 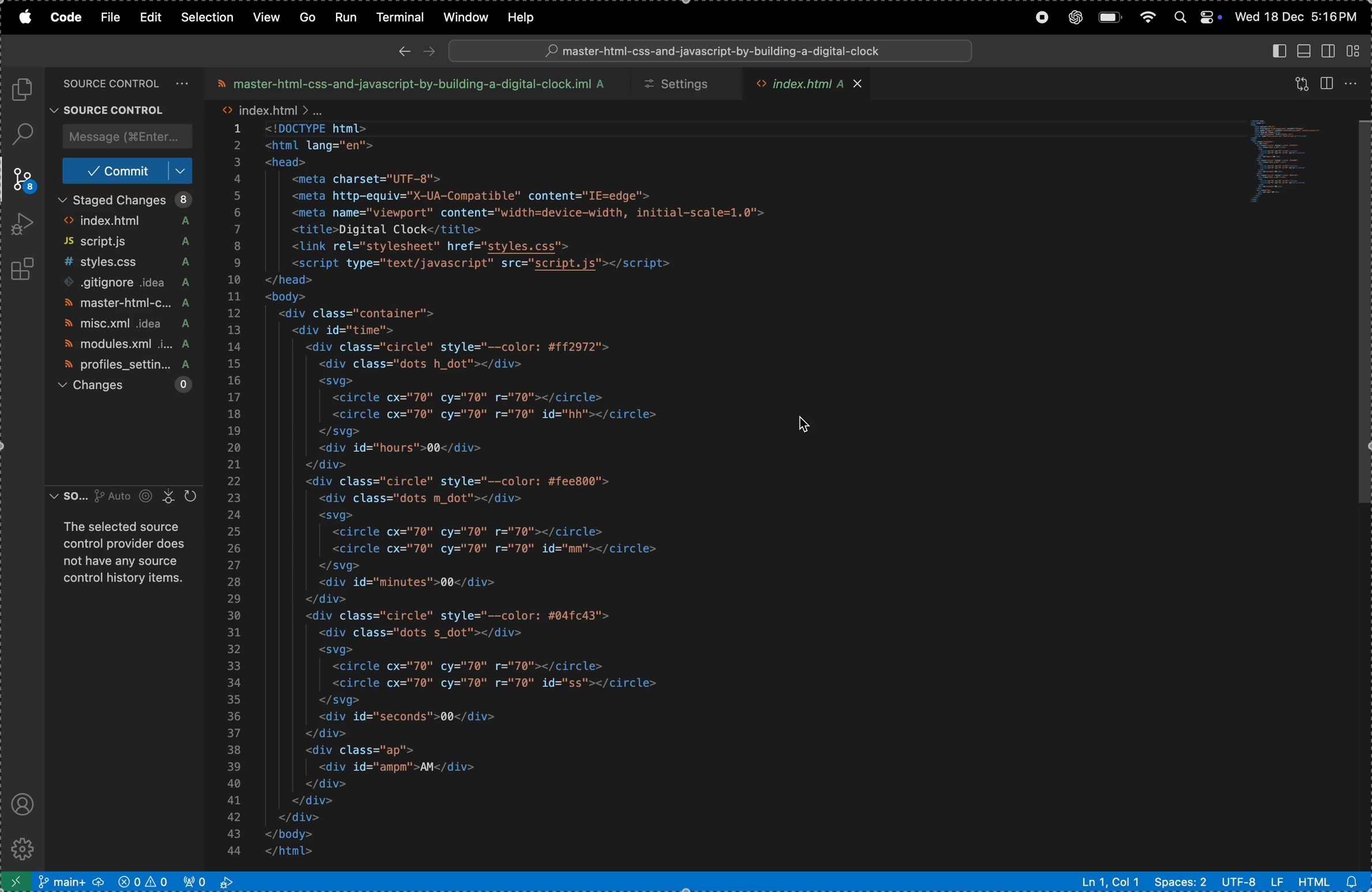 What do you see at coordinates (462, 616) in the screenshot?
I see `<div class="circle" style="--color: #04fc43">` at bounding box center [462, 616].